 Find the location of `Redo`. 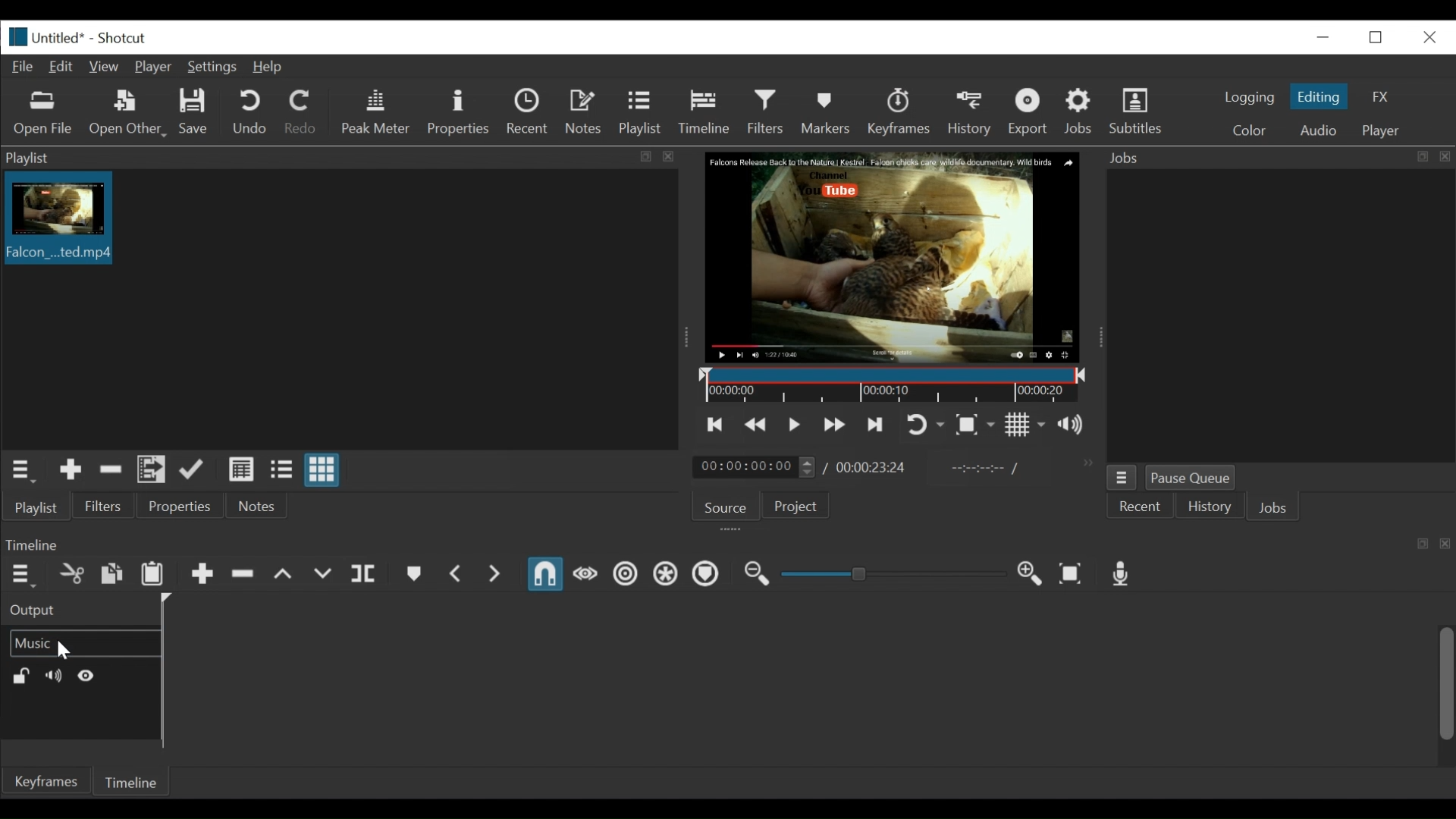

Redo is located at coordinates (300, 111).